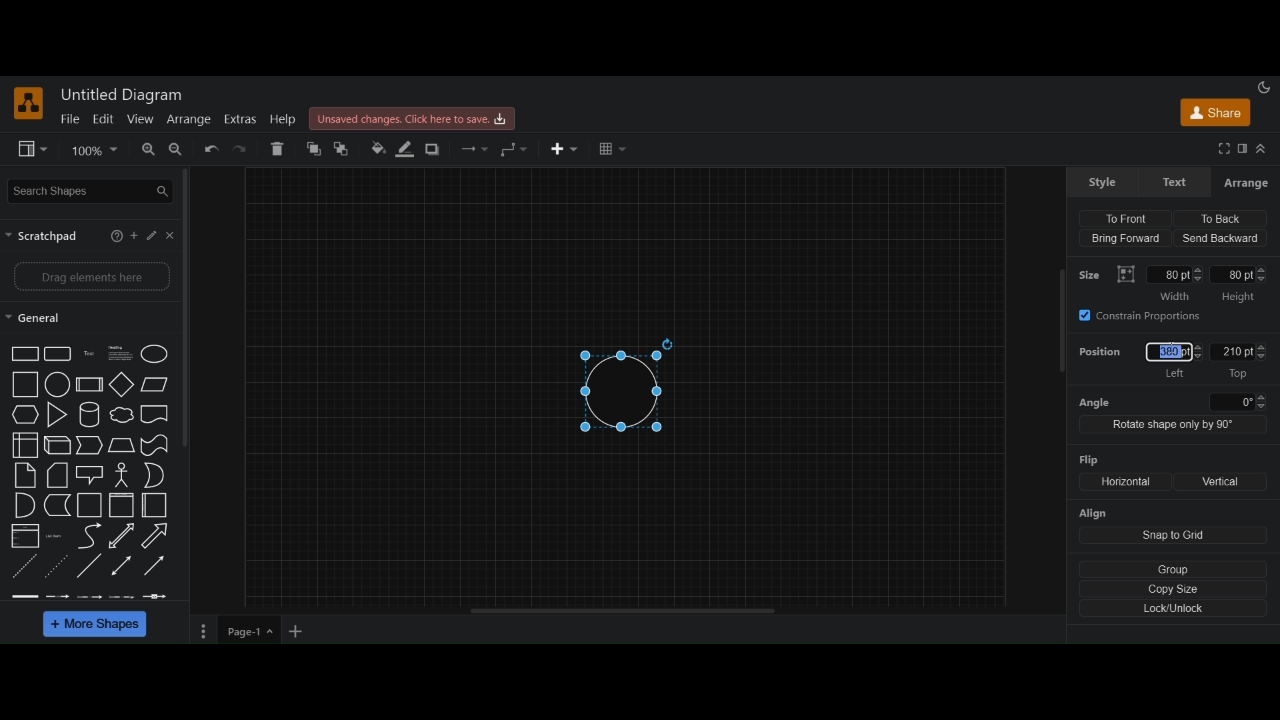 Image resolution: width=1280 pixels, height=720 pixels. Describe the element at coordinates (57, 536) in the screenshot. I see `text` at that location.